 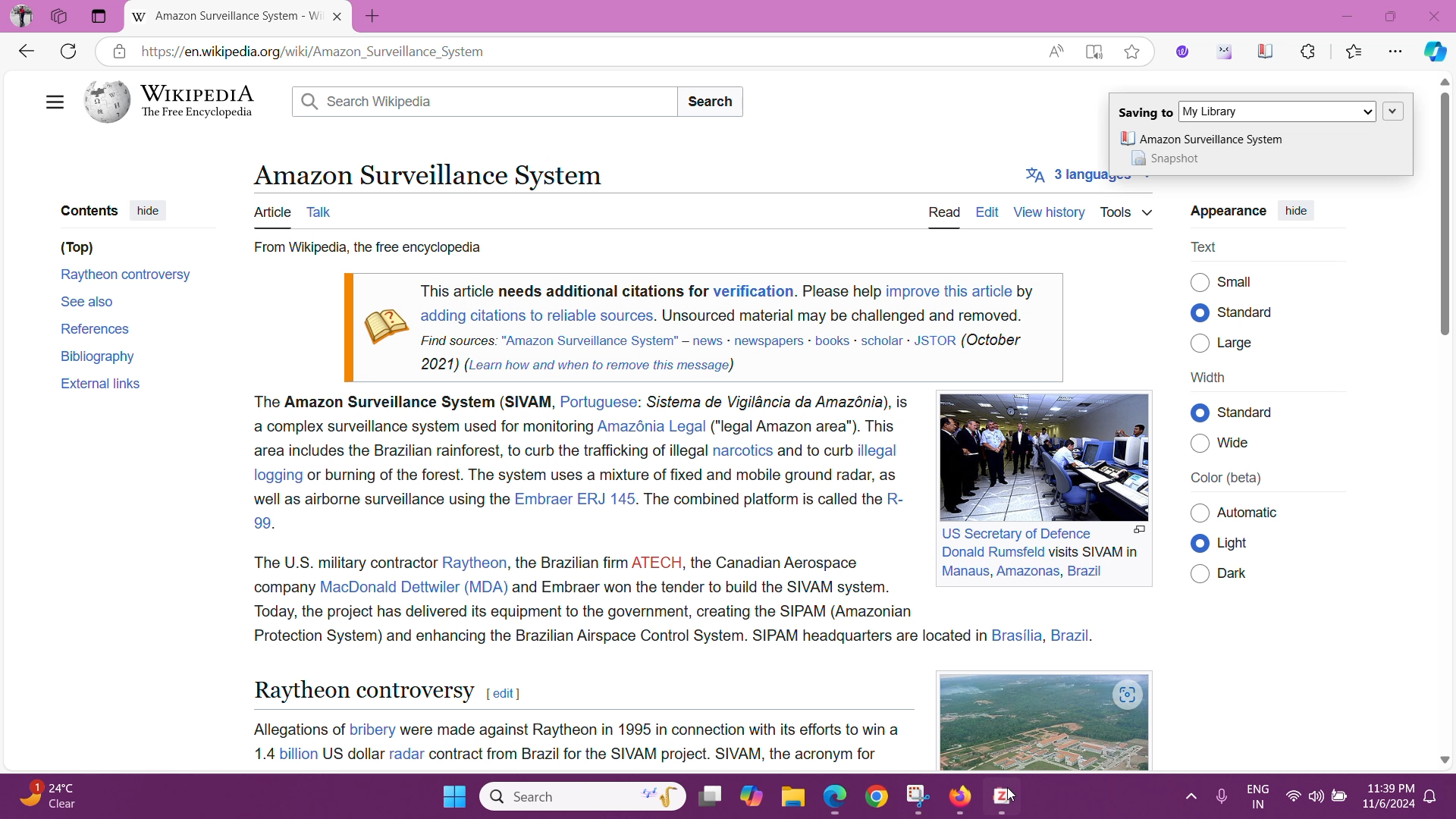 What do you see at coordinates (842, 291) in the screenshot?
I see `Please help` at bounding box center [842, 291].